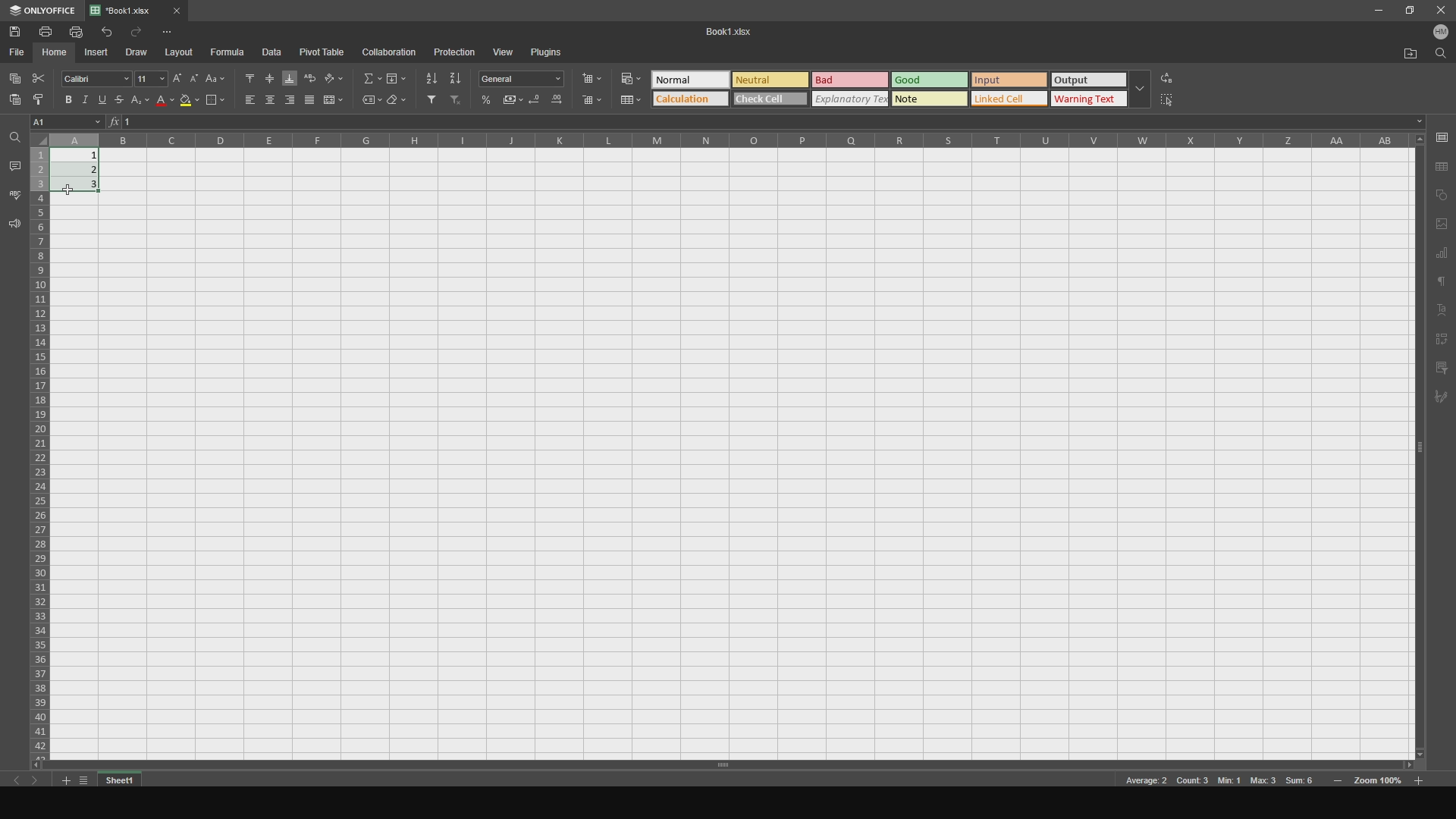 The width and height of the screenshot is (1456, 819). I want to click on decrement font size, so click(193, 74).